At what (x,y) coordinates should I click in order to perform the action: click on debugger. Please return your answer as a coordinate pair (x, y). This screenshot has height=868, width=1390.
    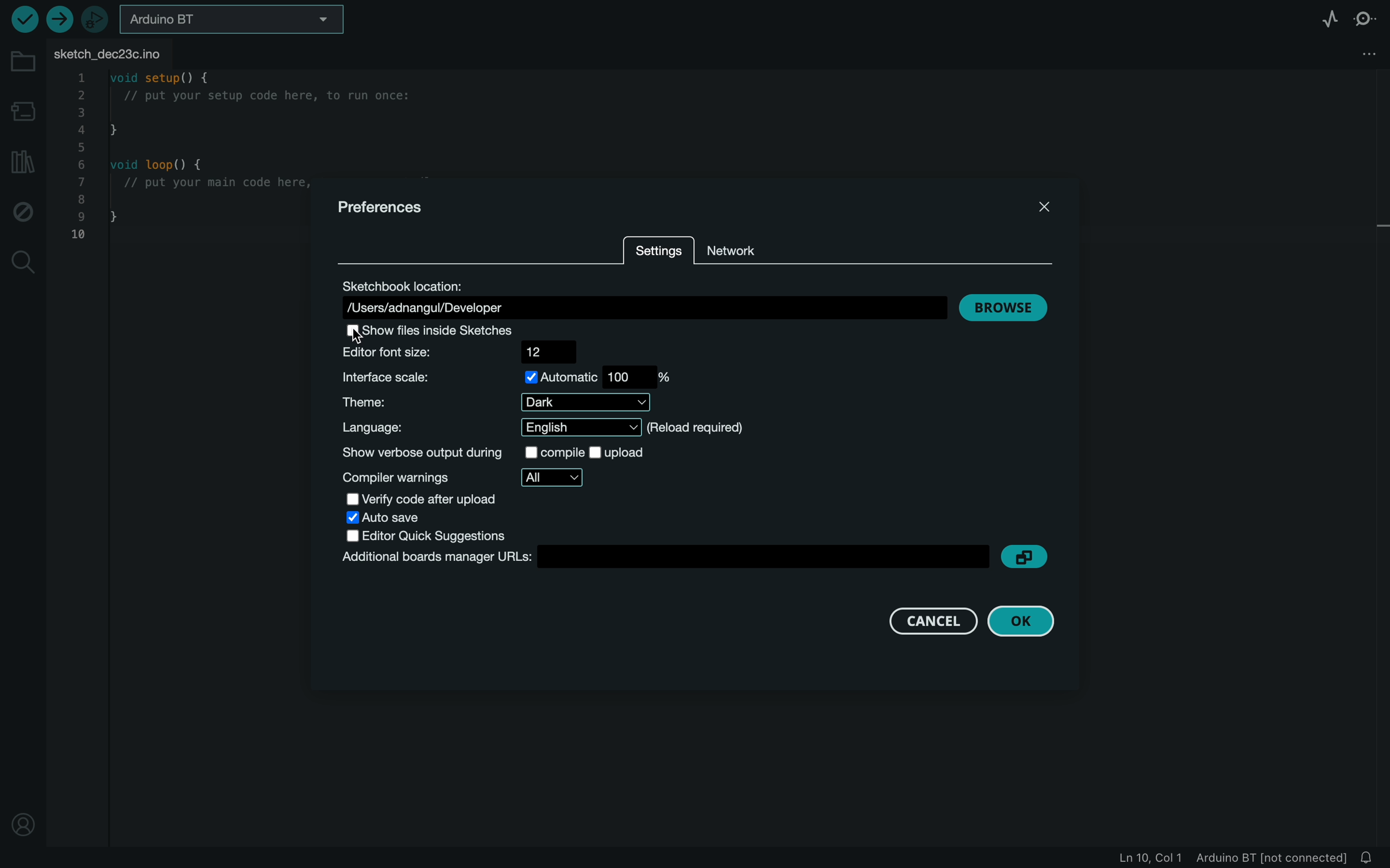
    Looking at the image, I should click on (96, 20).